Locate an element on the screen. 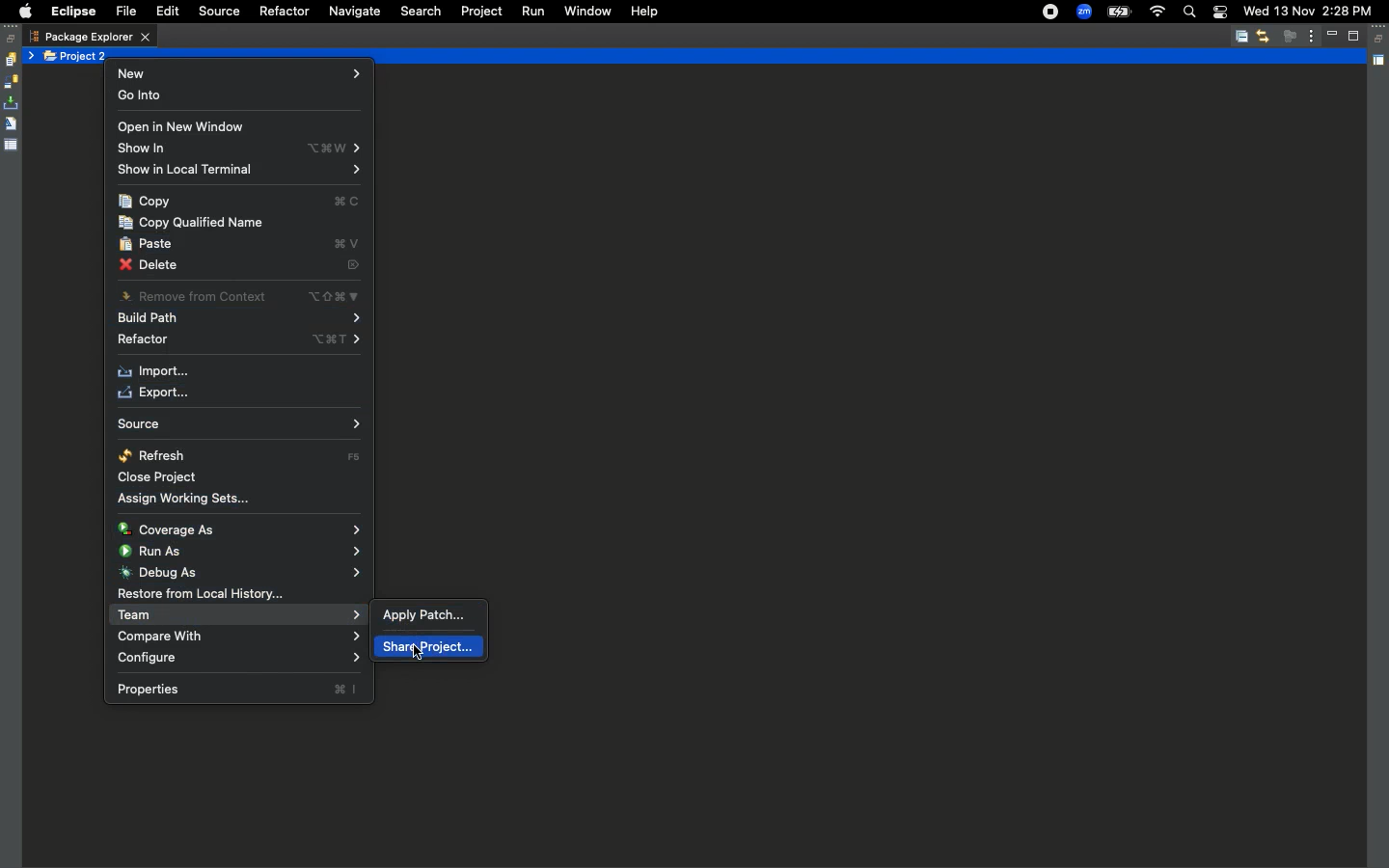  Copy qualified name is located at coordinates (194, 223).